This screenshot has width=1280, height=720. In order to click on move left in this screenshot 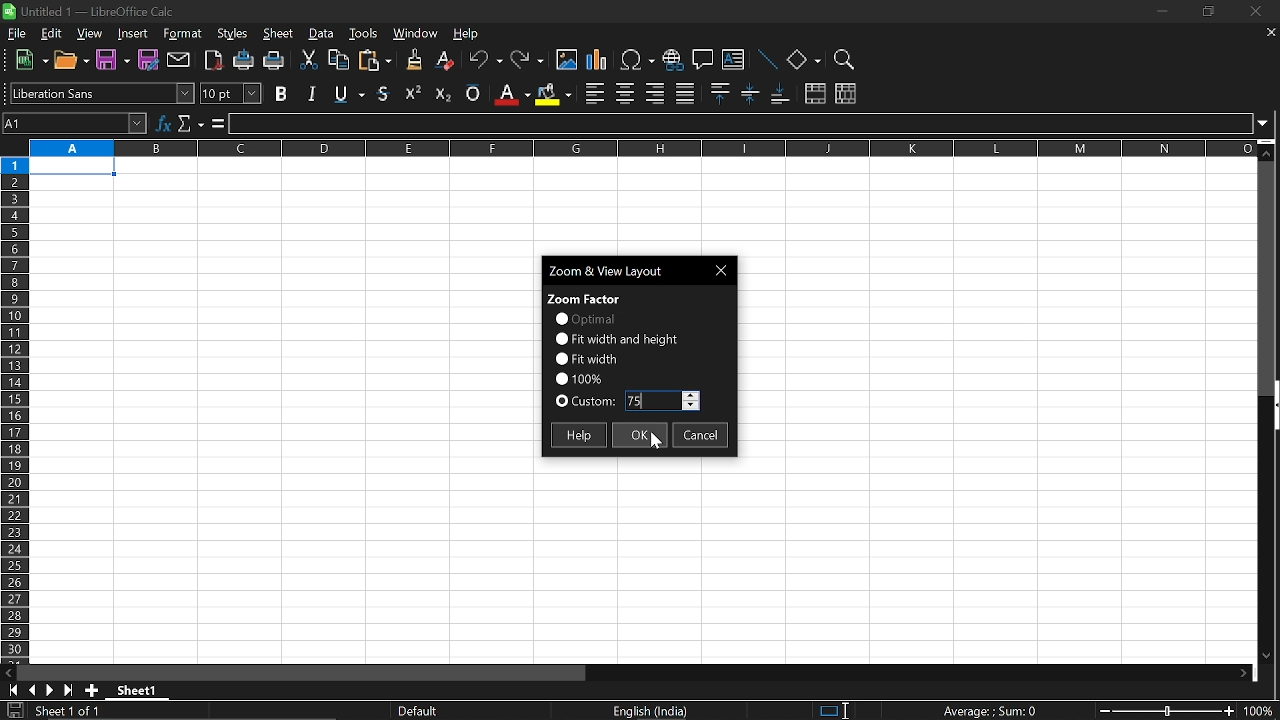, I will do `click(8, 671)`.